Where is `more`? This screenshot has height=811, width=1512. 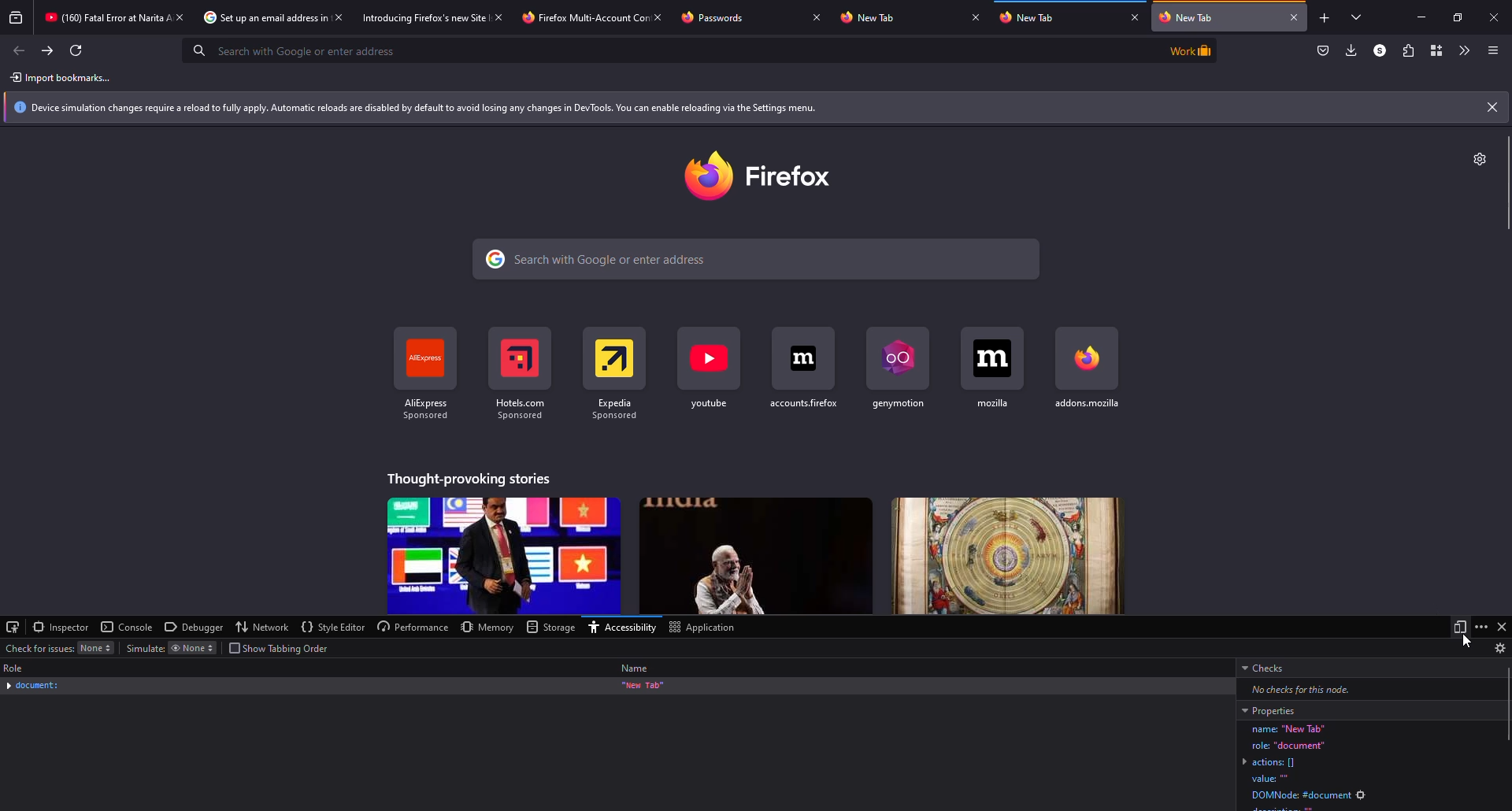 more is located at coordinates (1480, 626).